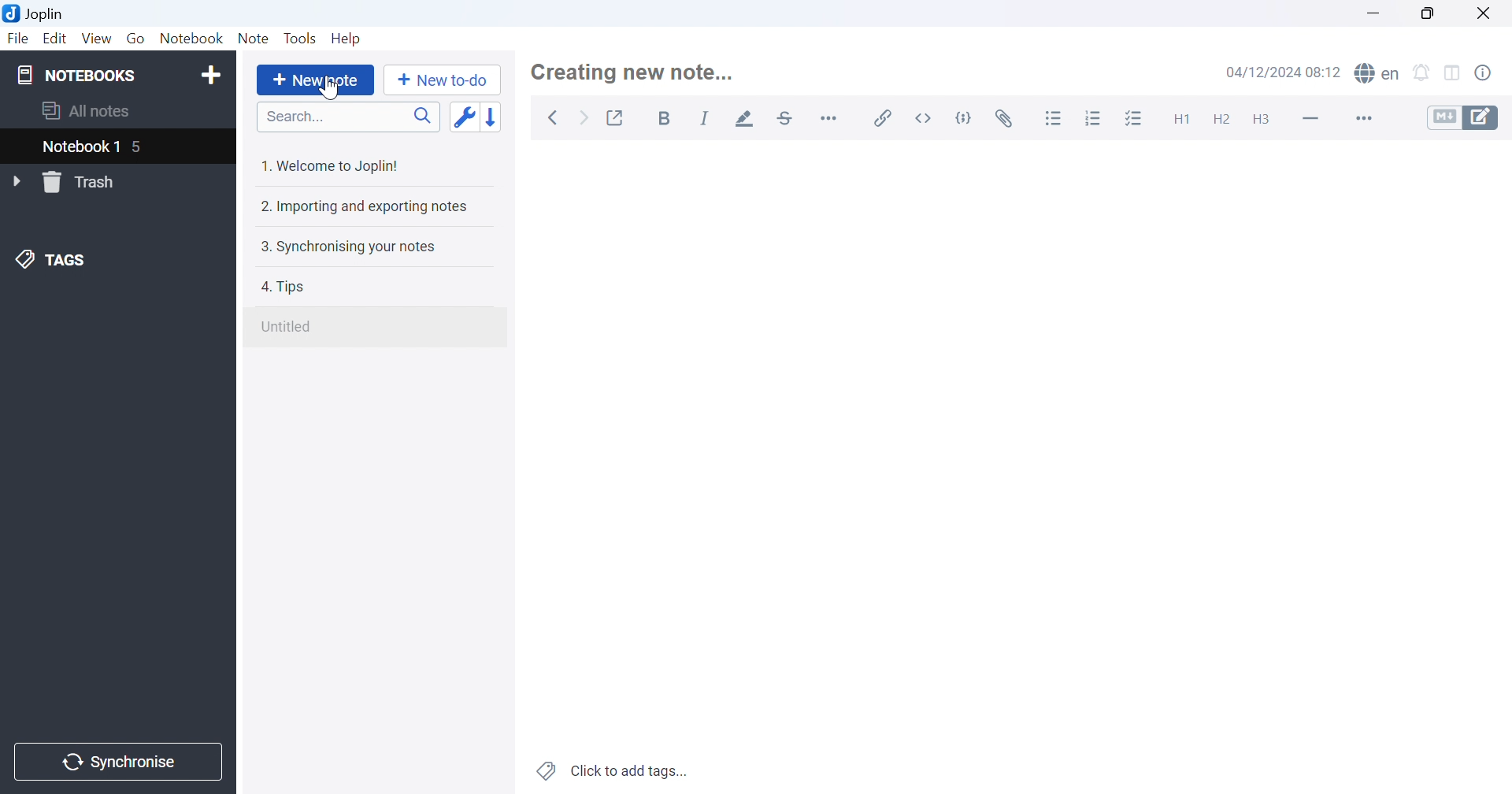  I want to click on Notebook, so click(191, 38).